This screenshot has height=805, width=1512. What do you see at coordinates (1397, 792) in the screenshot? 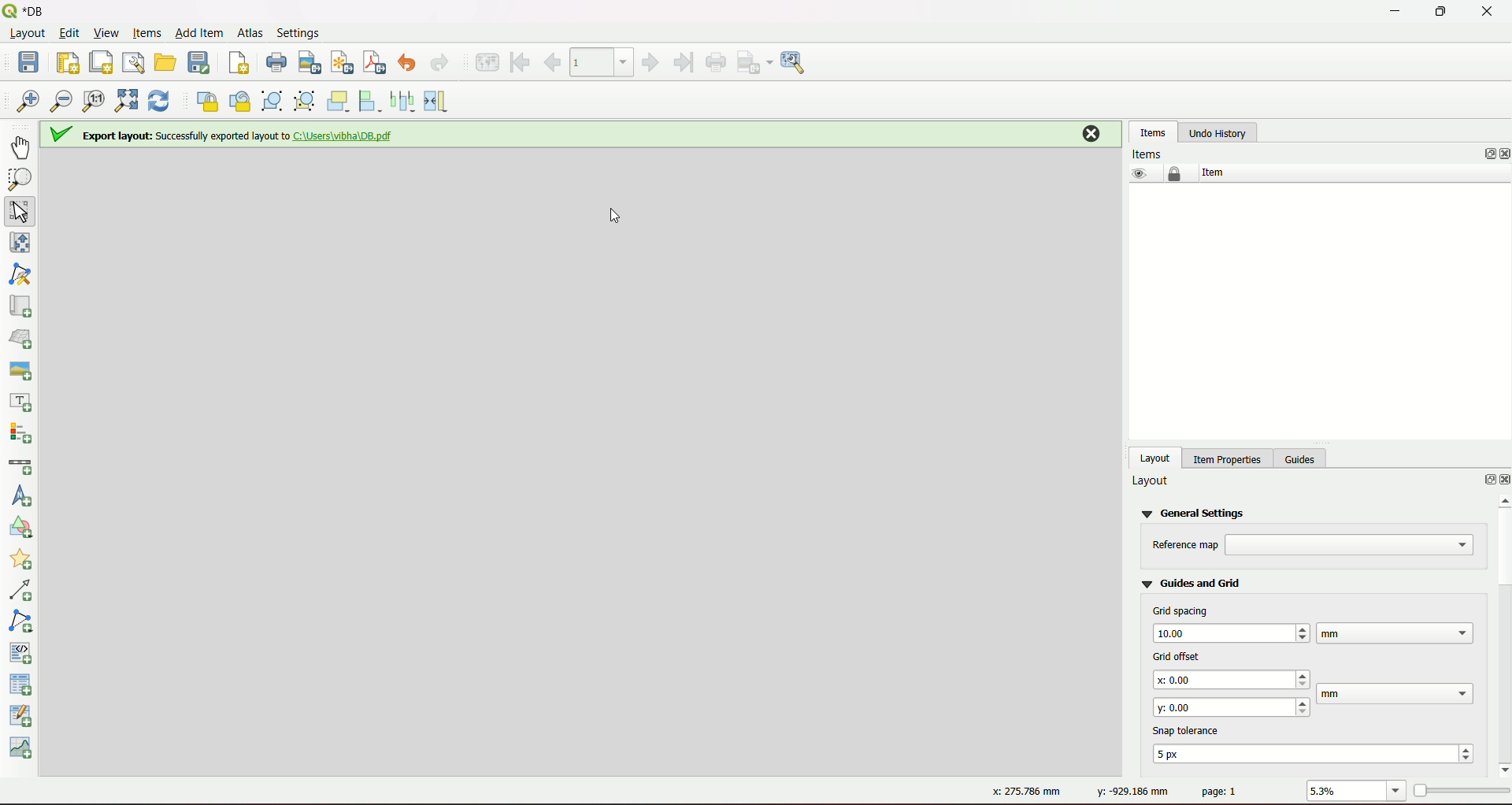
I see `zoom` at bounding box center [1397, 792].